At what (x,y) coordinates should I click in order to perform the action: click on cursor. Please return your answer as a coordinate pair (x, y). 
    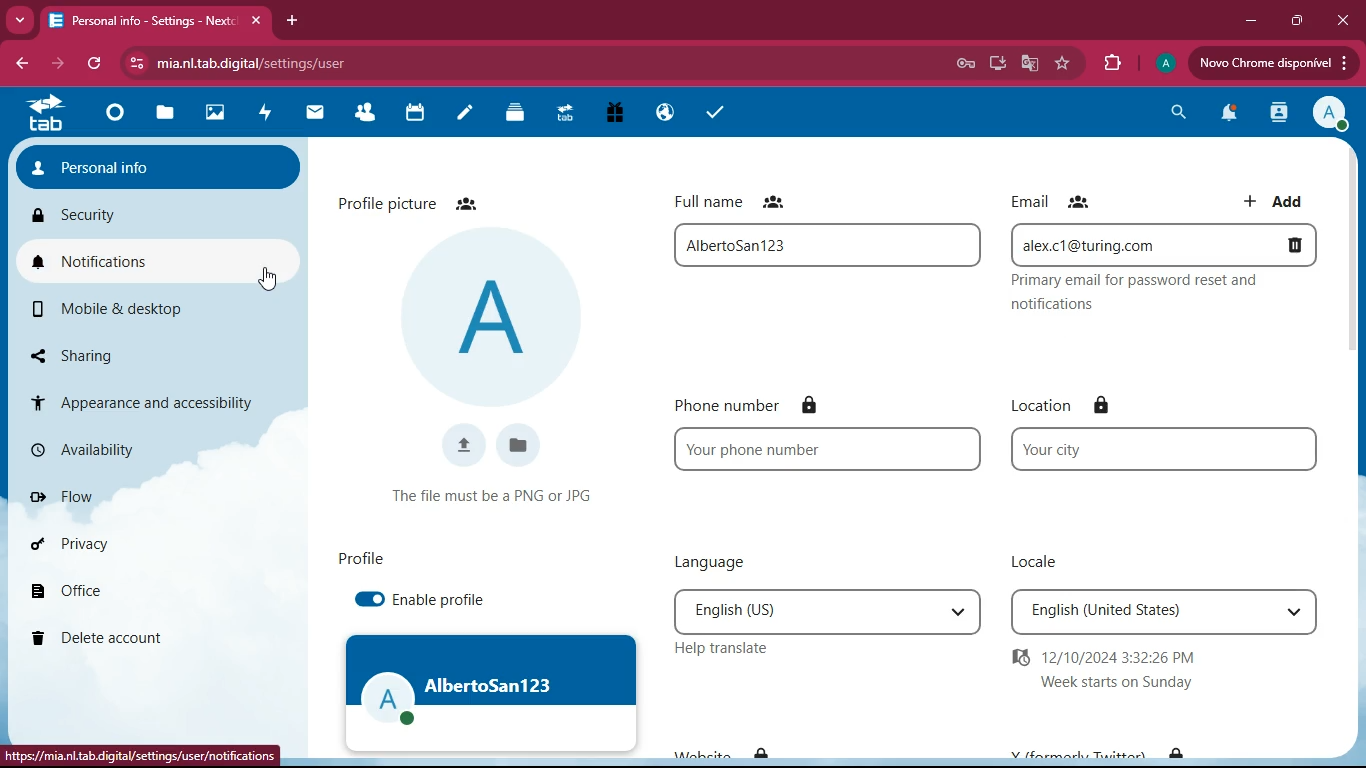
    Looking at the image, I should click on (266, 279).